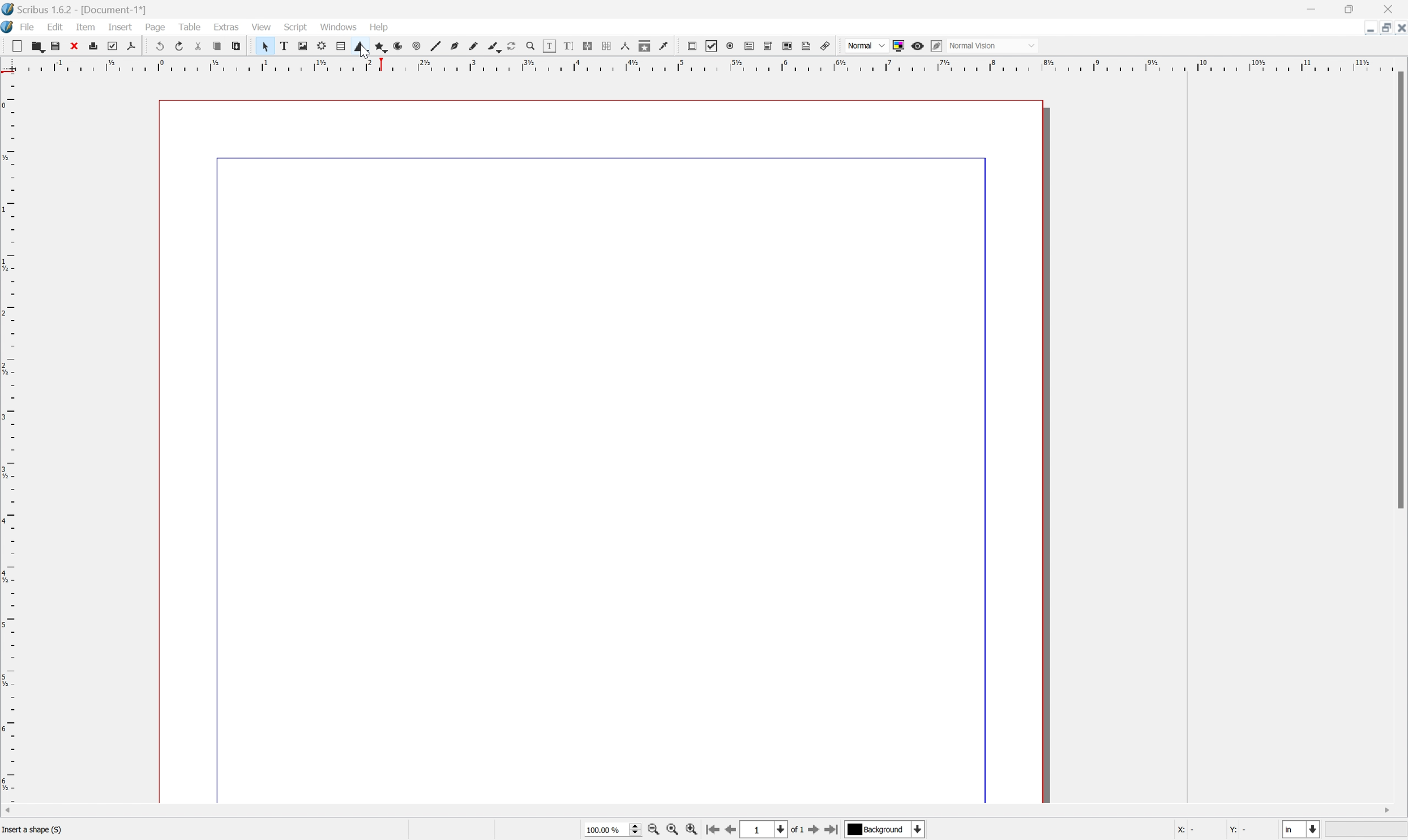  I want to click on Edit, so click(57, 27).